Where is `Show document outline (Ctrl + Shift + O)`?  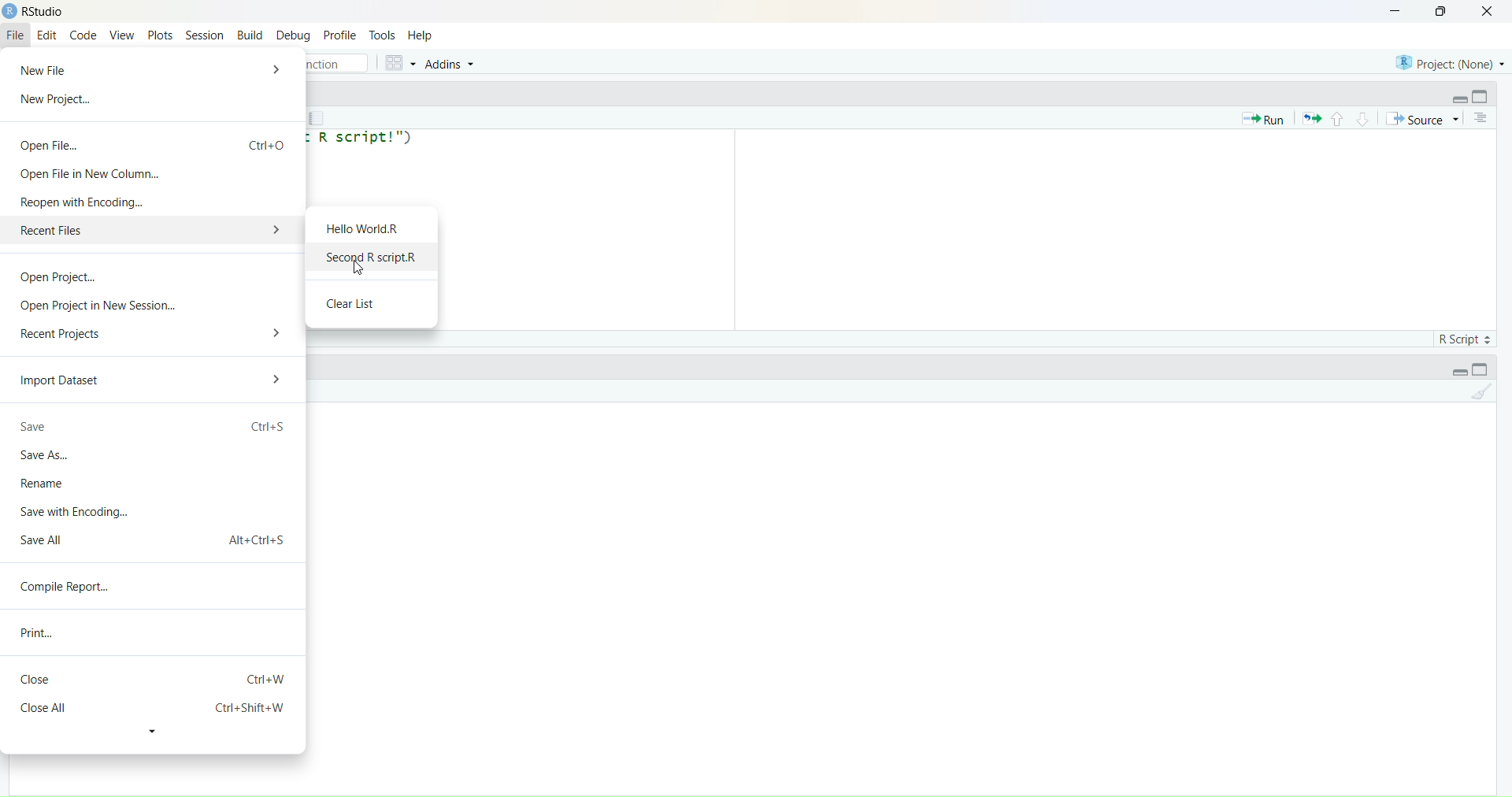
Show document outline (Ctrl + Shift + O) is located at coordinates (1483, 118).